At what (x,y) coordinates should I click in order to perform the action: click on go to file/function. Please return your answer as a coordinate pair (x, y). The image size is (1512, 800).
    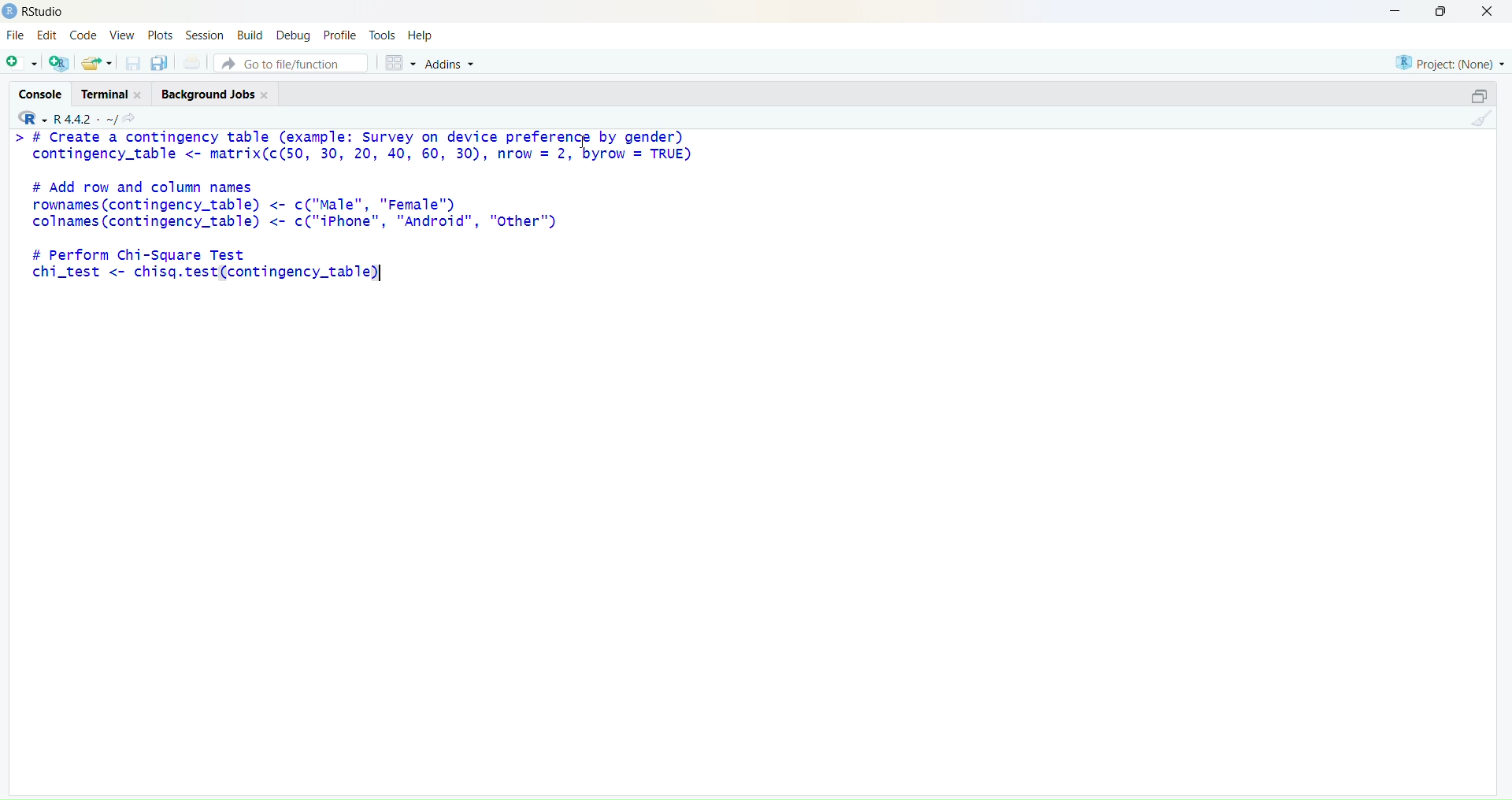
    Looking at the image, I should click on (291, 64).